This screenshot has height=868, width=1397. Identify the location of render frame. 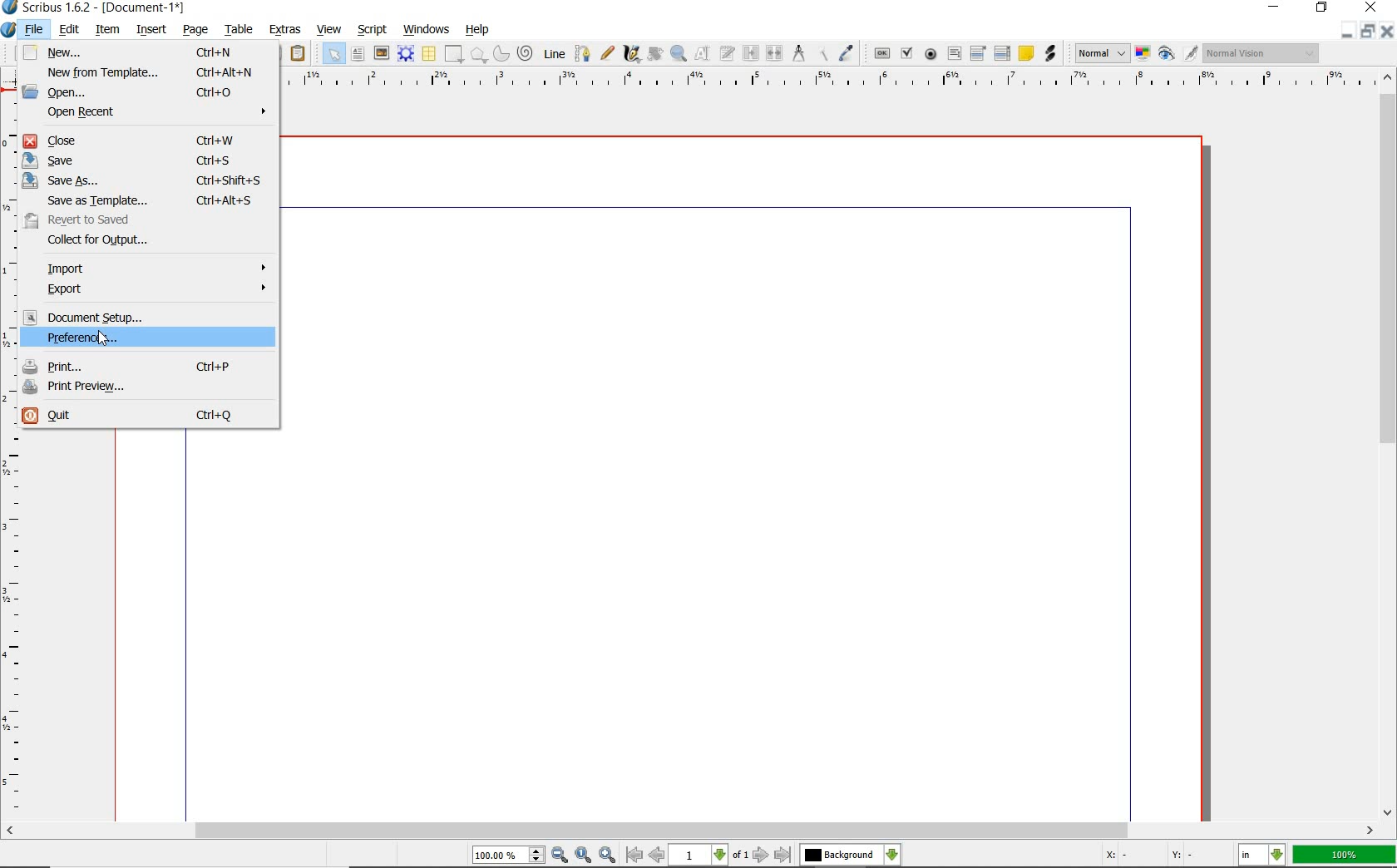
(406, 53).